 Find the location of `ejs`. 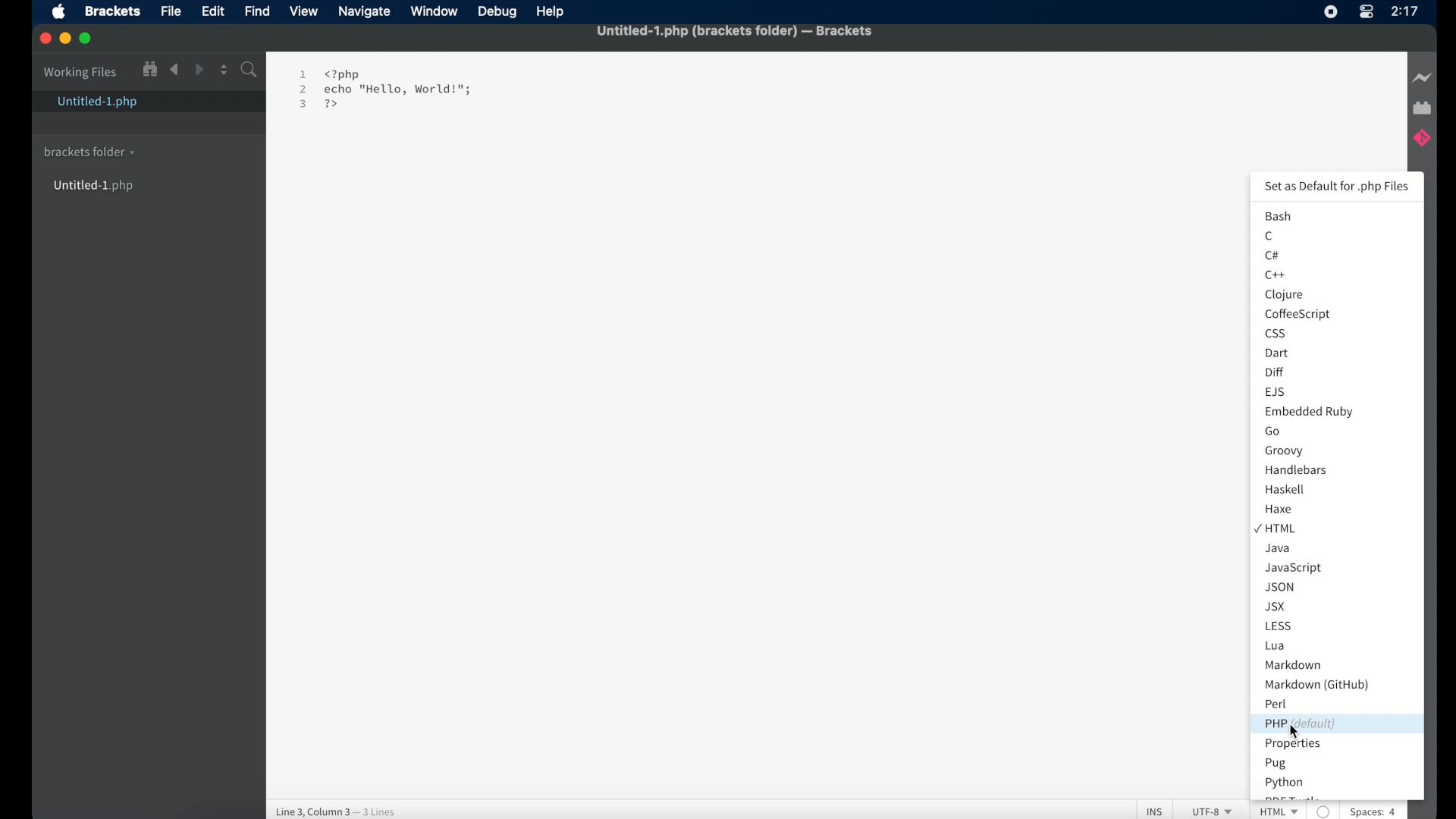

ejs is located at coordinates (1276, 392).